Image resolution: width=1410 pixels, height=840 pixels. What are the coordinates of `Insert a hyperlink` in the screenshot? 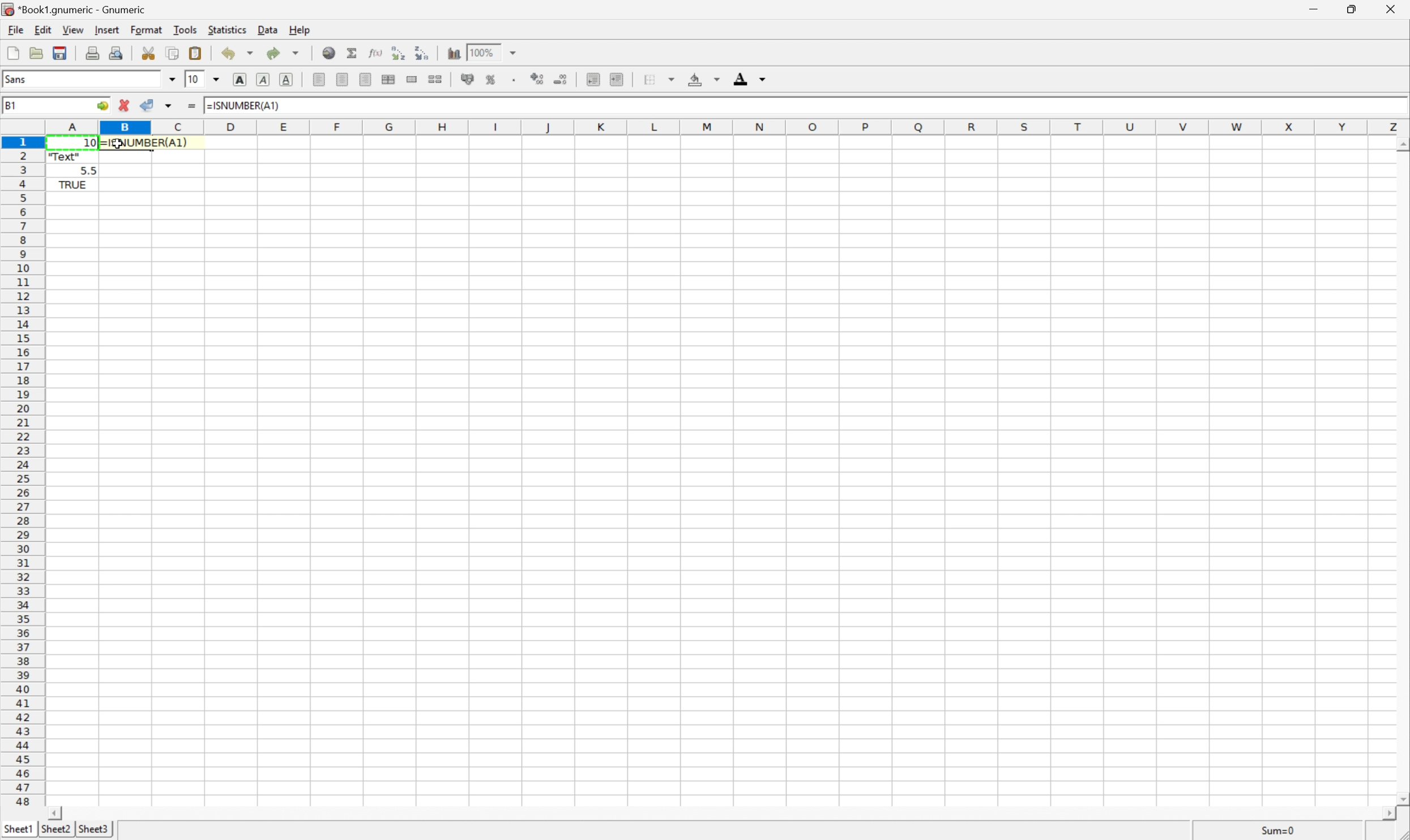 It's located at (327, 53).